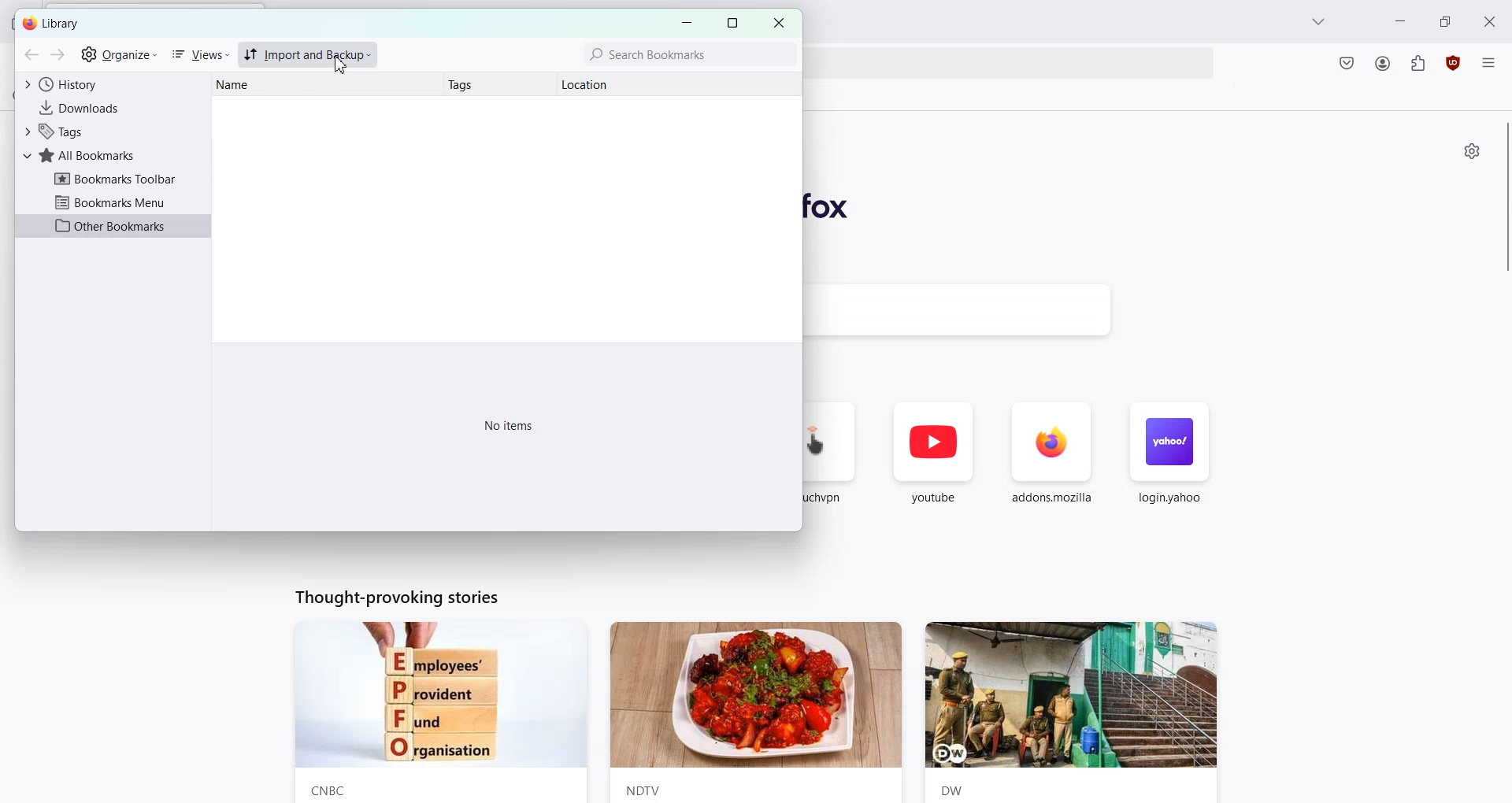 This screenshot has height=803, width=1512. Describe the element at coordinates (115, 179) in the screenshot. I see `Bookmarks Toolbar` at that location.